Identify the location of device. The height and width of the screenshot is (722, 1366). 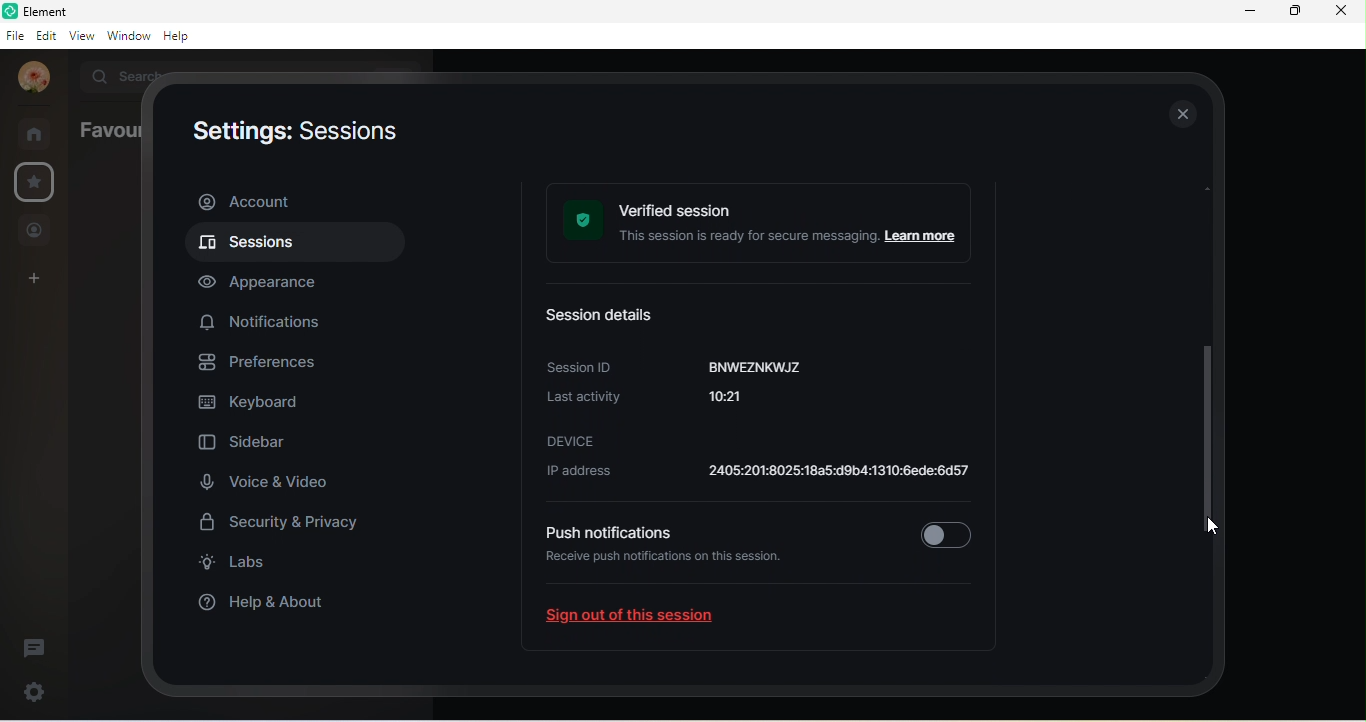
(572, 440).